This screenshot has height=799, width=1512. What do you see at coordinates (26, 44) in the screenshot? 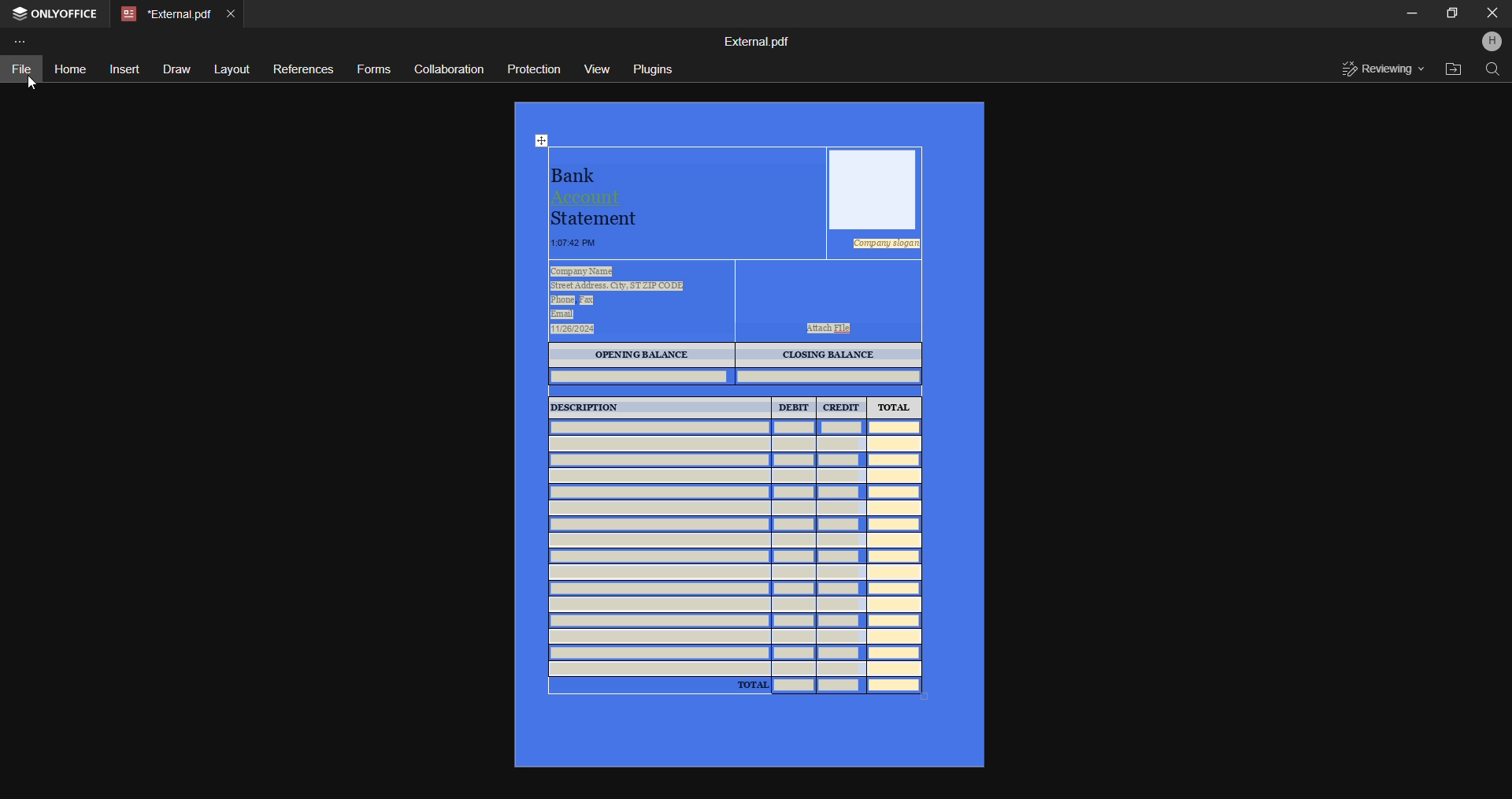
I see `Customize Toolbar` at bounding box center [26, 44].